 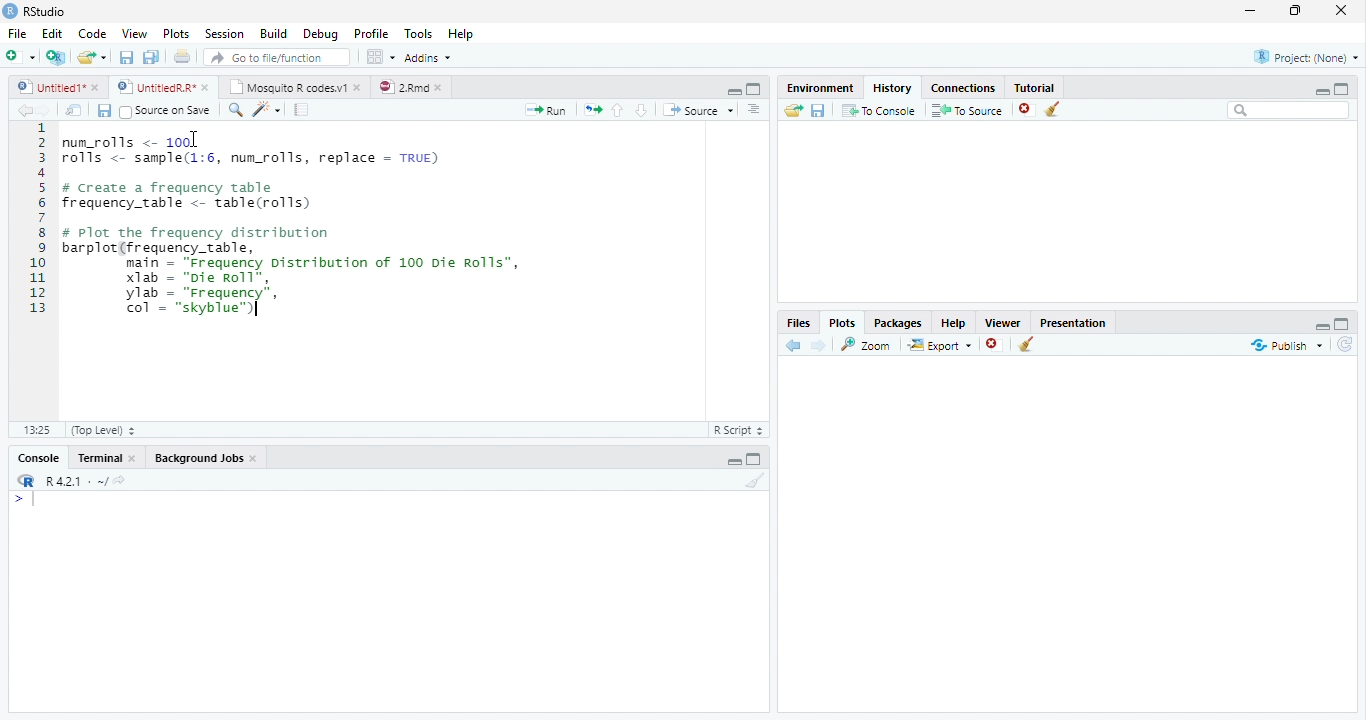 I want to click on R R421 - ~/, so click(x=69, y=481).